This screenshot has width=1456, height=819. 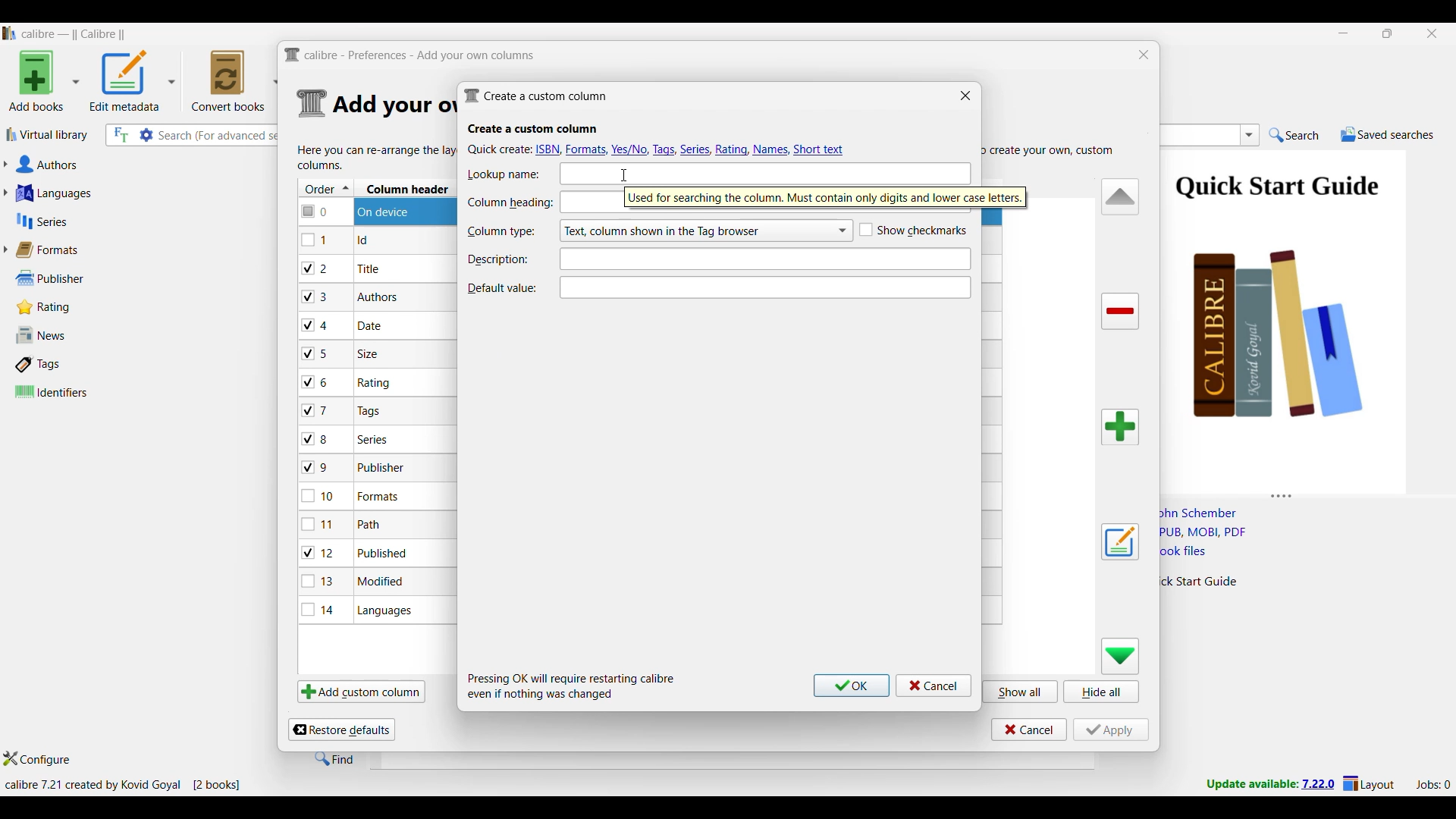 What do you see at coordinates (1389, 33) in the screenshot?
I see `Show interface in a smaller tab` at bounding box center [1389, 33].